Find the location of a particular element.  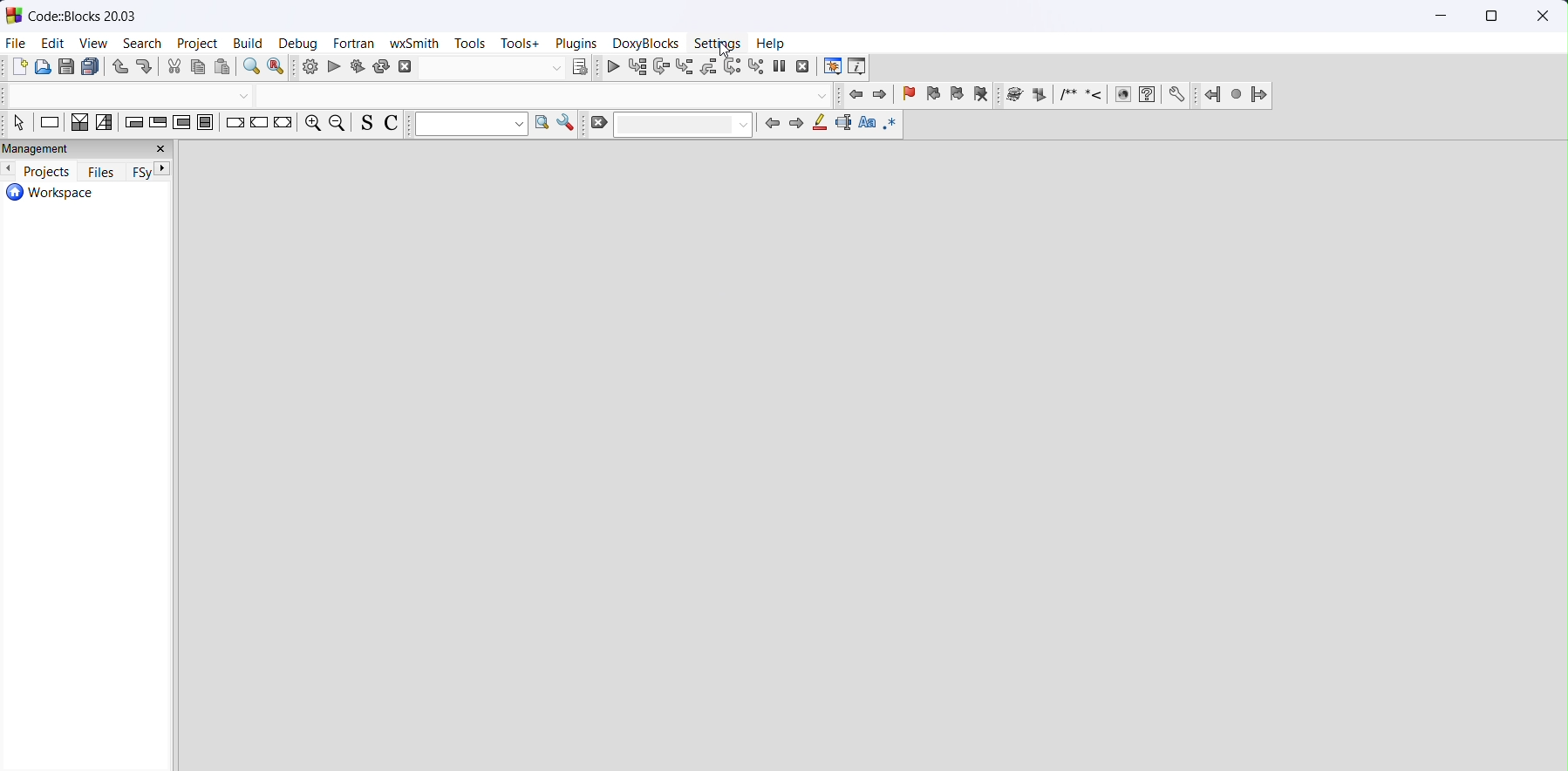

previous is located at coordinates (773, 125).